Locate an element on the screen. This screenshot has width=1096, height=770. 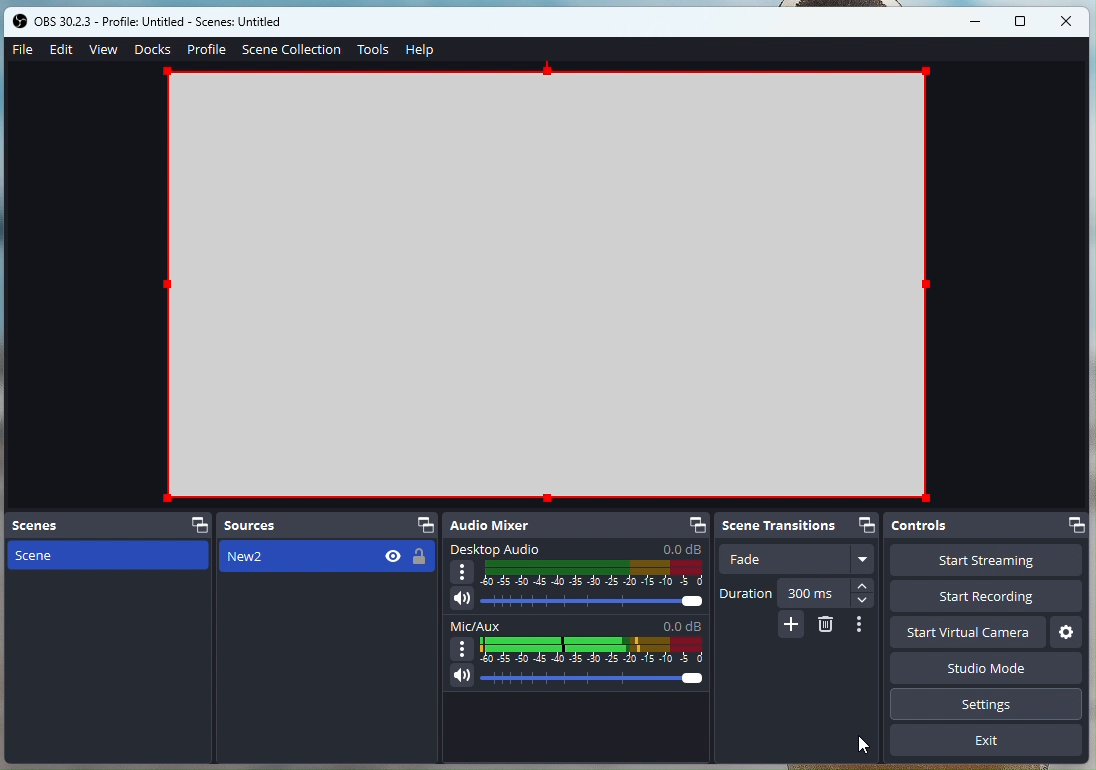
Sources is located at coordinates (285, 524).